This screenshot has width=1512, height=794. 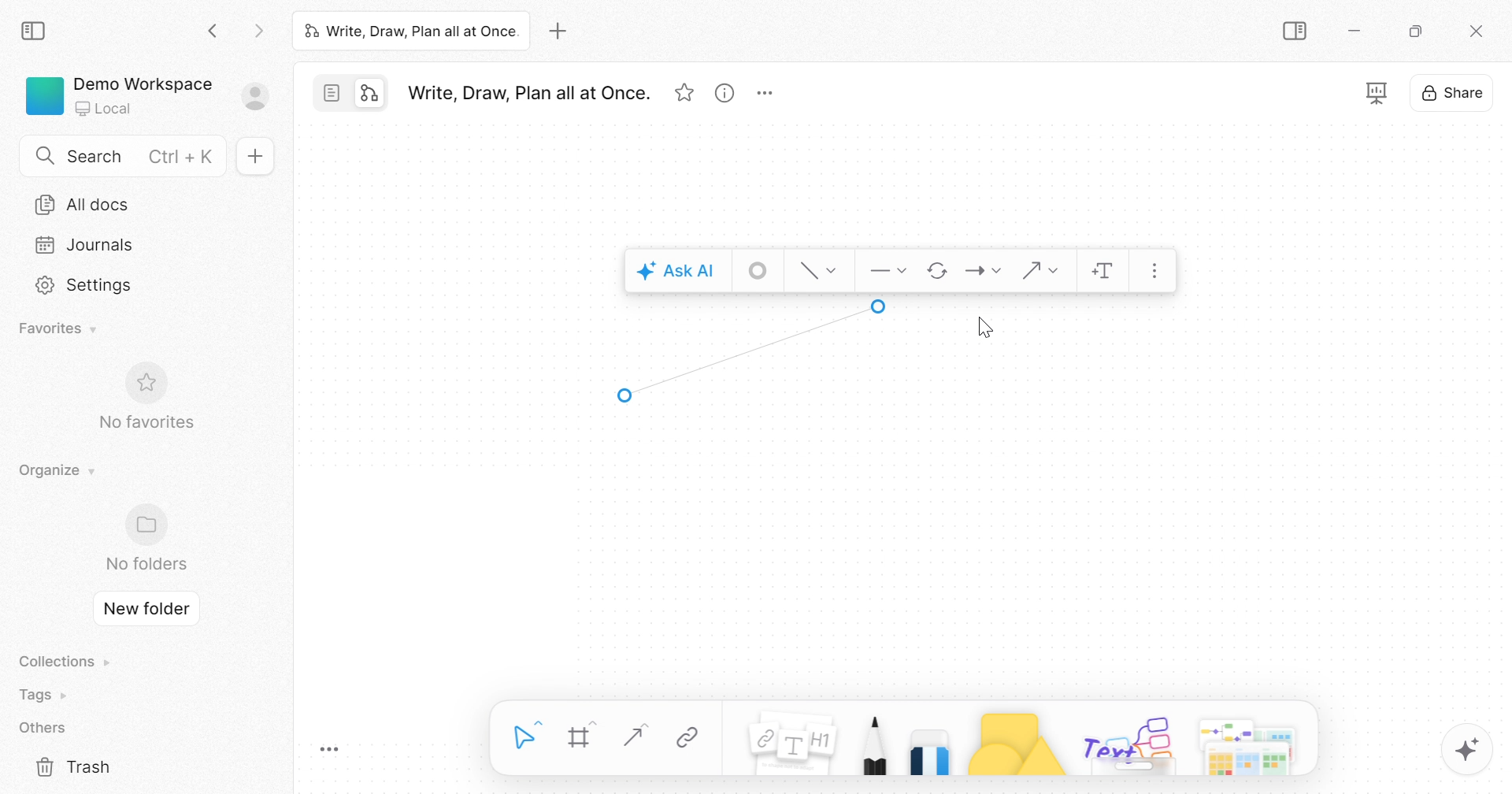 I want to click on Others, so click(x=1129, y=743).